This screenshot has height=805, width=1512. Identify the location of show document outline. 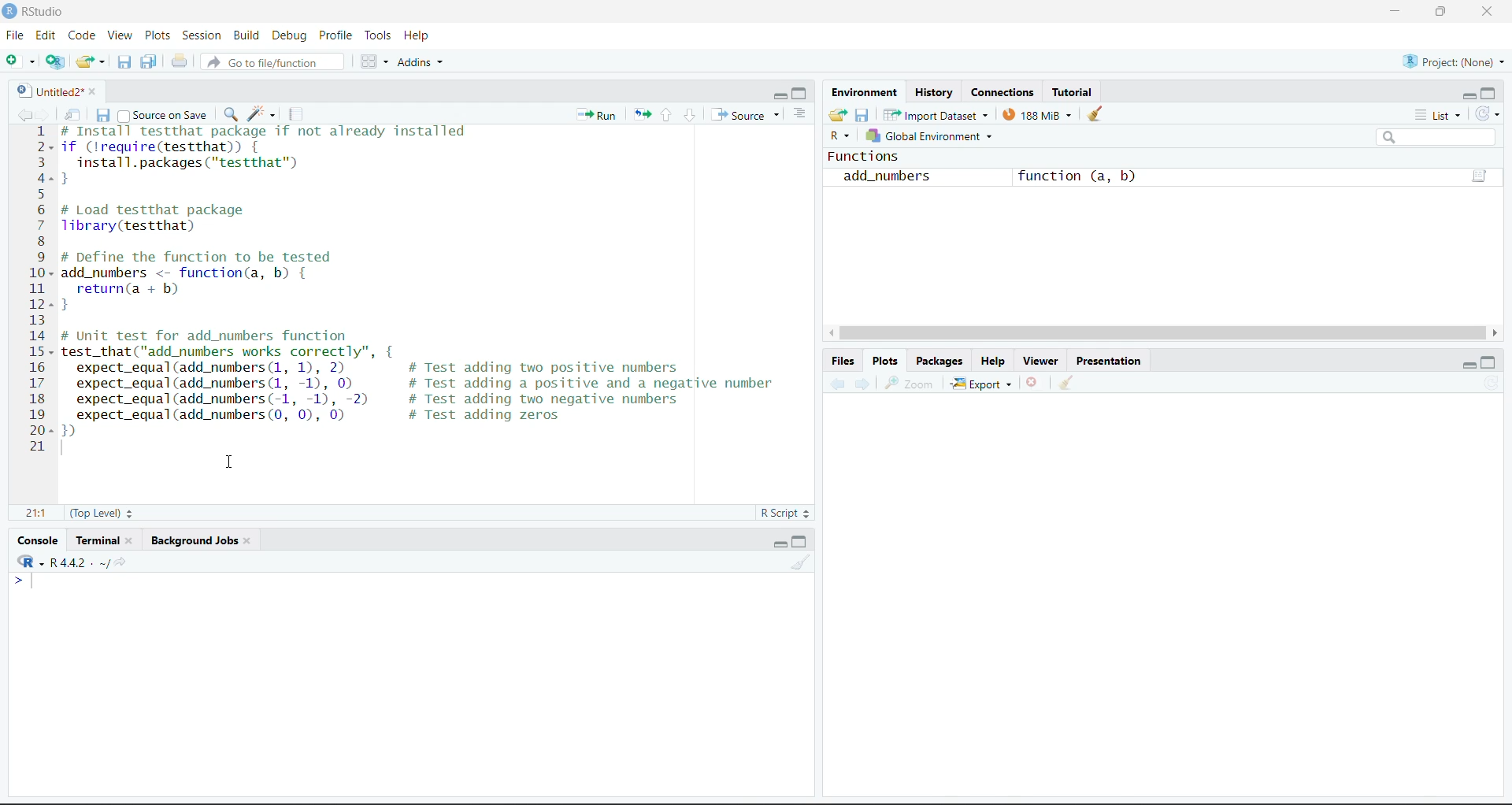
(799, 113).